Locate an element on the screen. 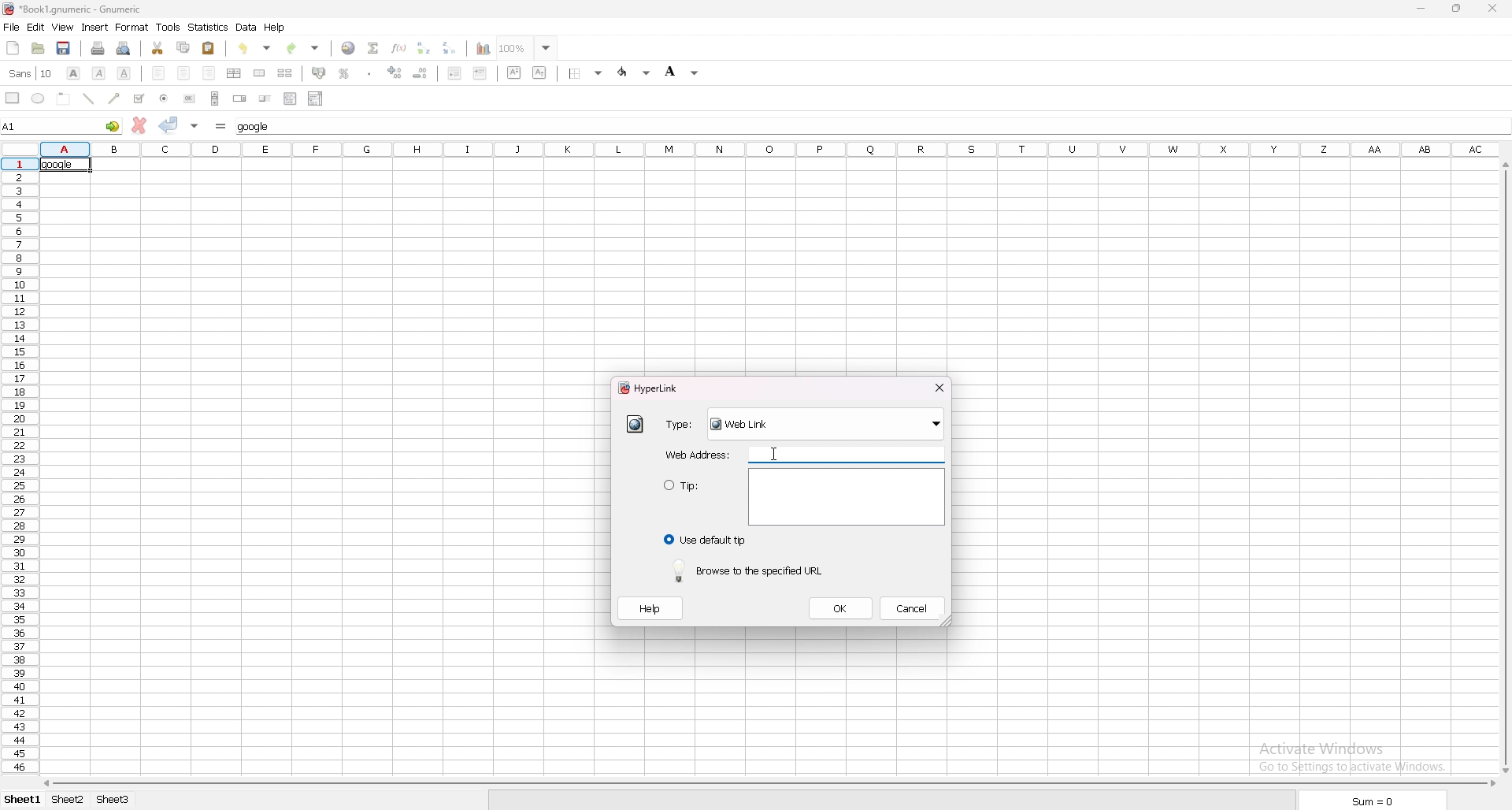  centre horizontally is located at coordinates (235, 72).